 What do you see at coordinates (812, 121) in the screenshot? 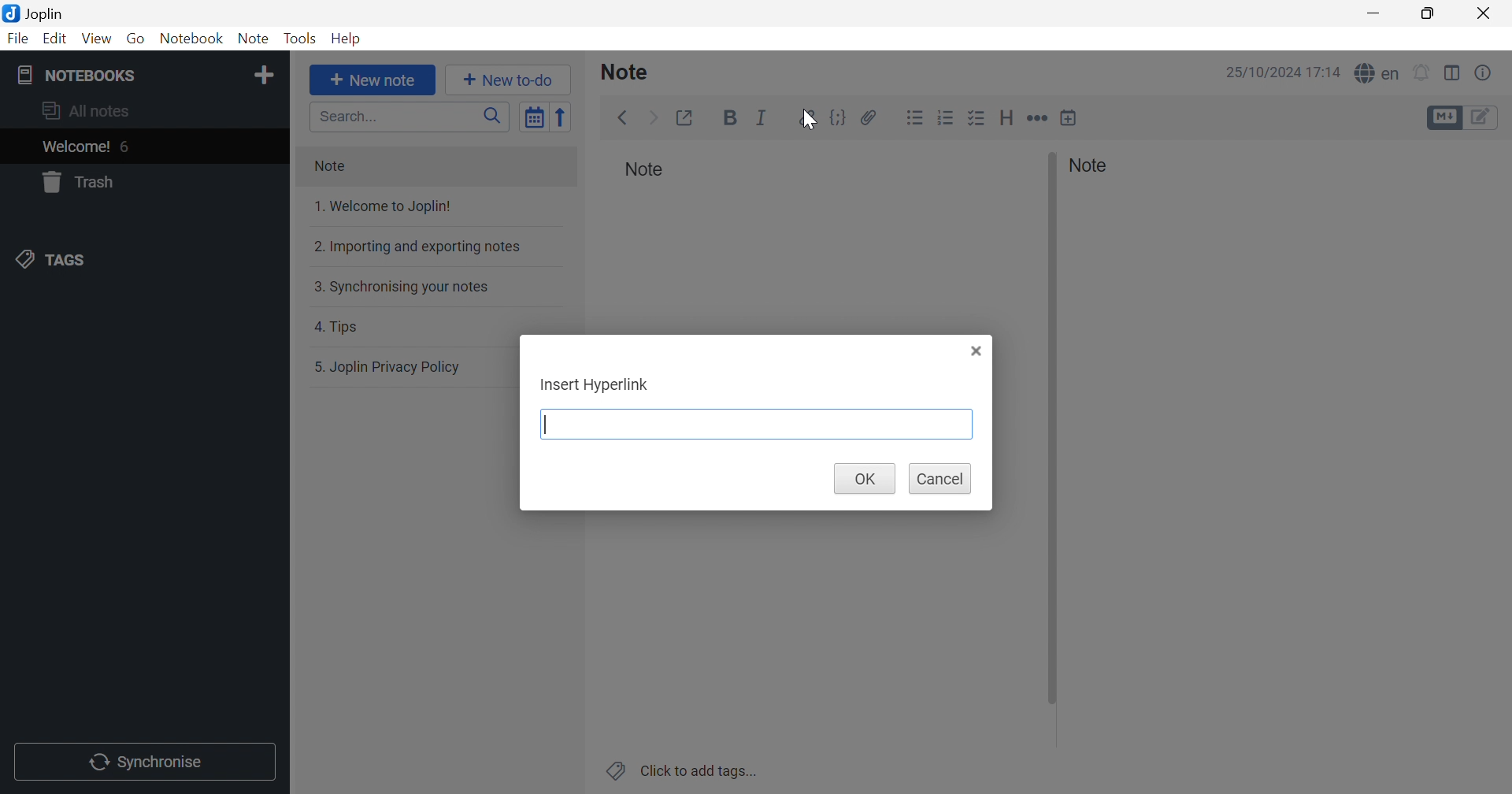
I see `cursor` at bounding box center [812, 121].